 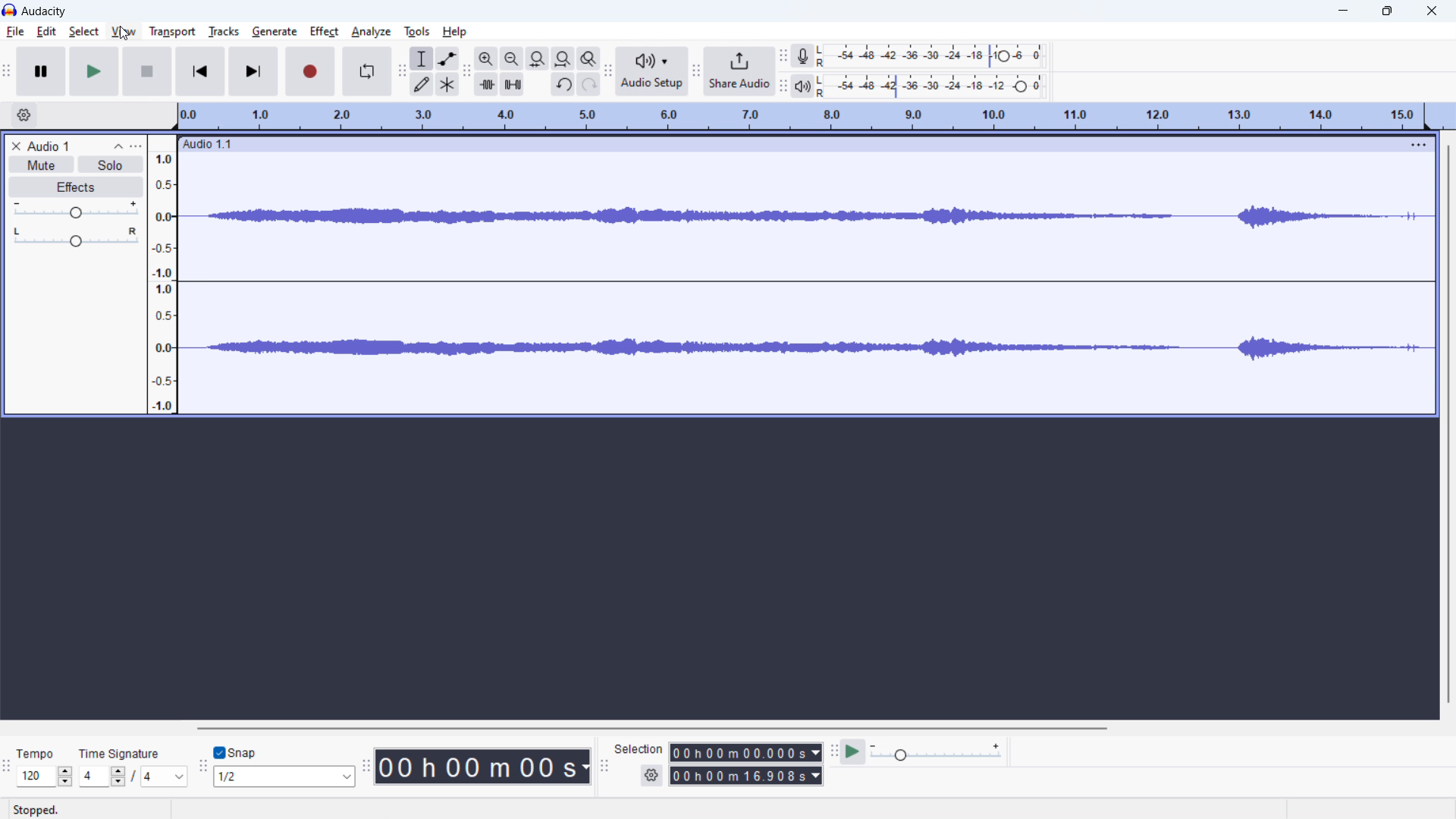 I want to click on share audio toolbar, so click(x=695, y=71).